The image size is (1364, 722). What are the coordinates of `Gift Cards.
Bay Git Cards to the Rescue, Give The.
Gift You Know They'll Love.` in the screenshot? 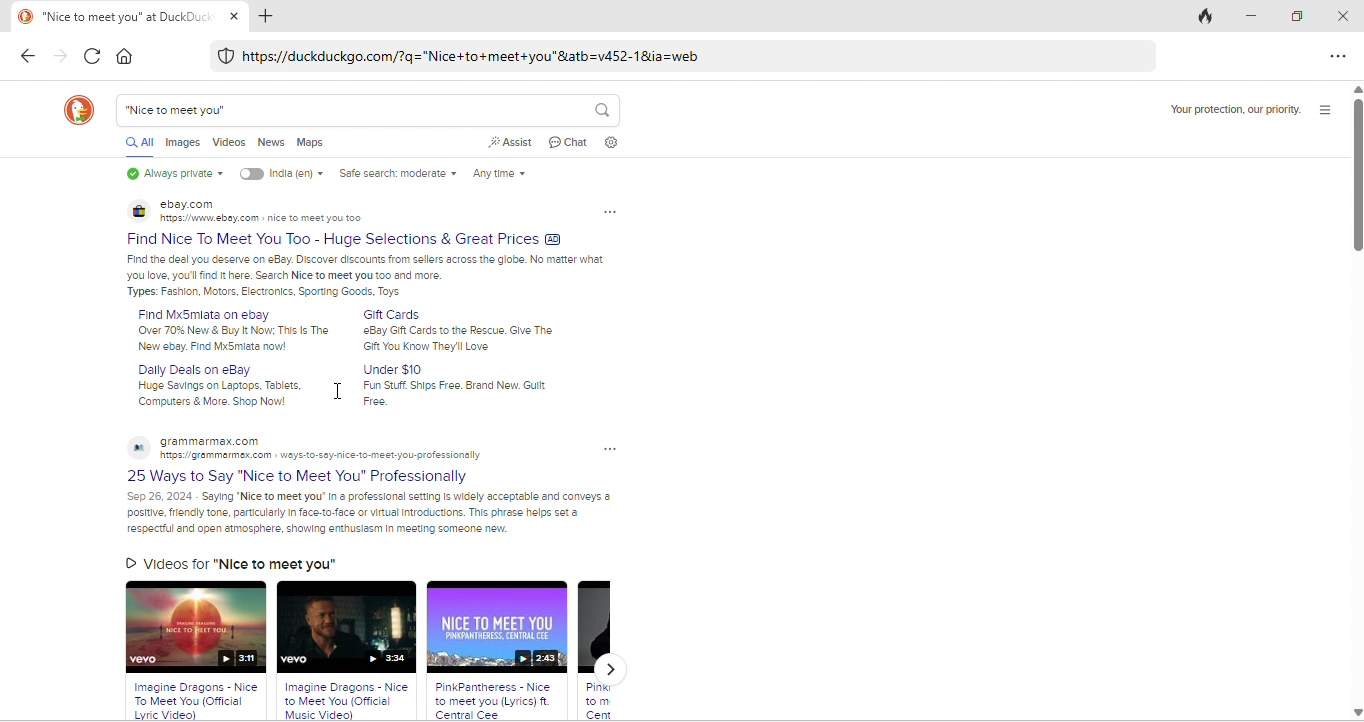 It's located at (452, 339).